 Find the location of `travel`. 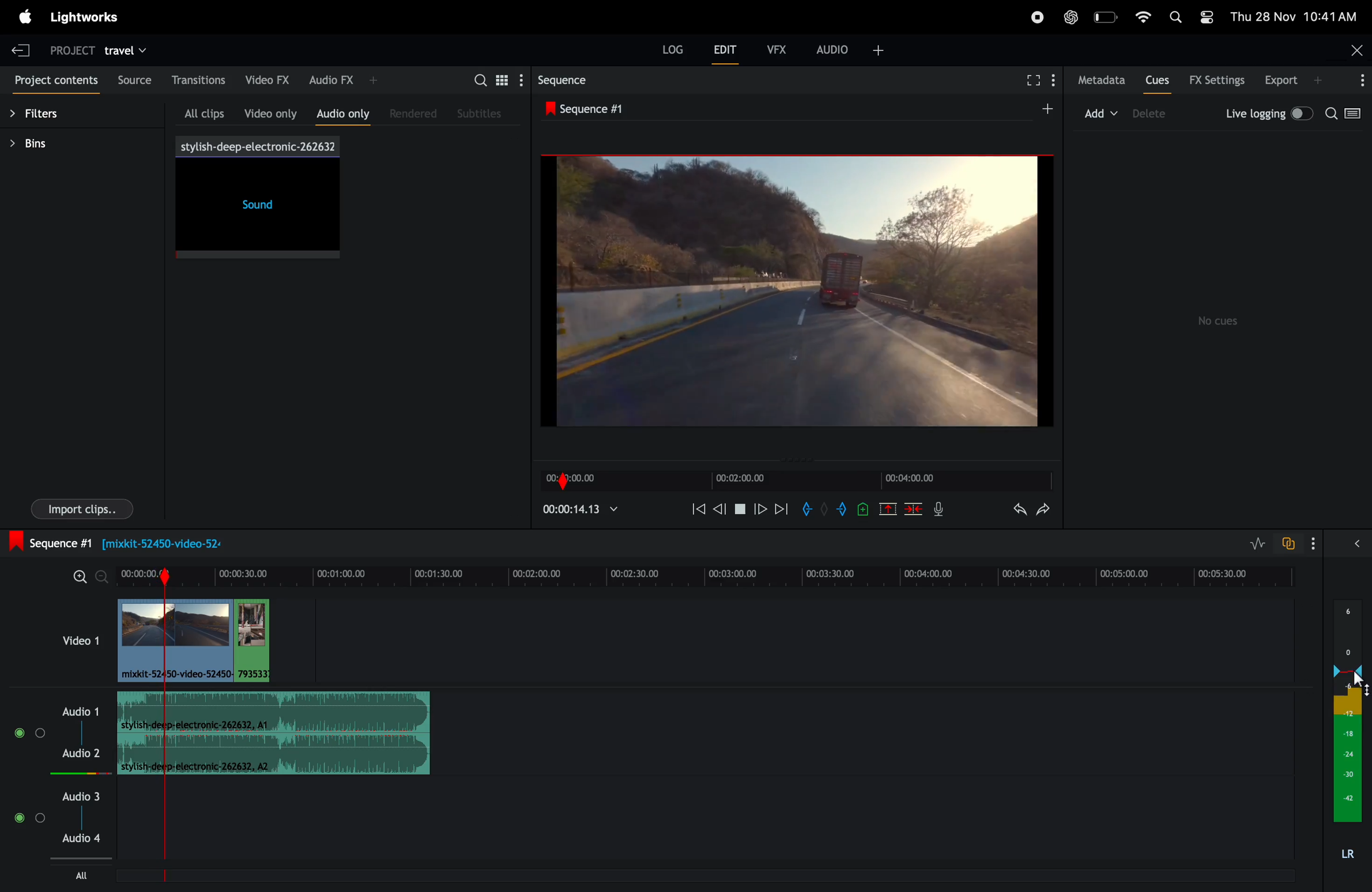

travel is located at coordinates (126, 53).